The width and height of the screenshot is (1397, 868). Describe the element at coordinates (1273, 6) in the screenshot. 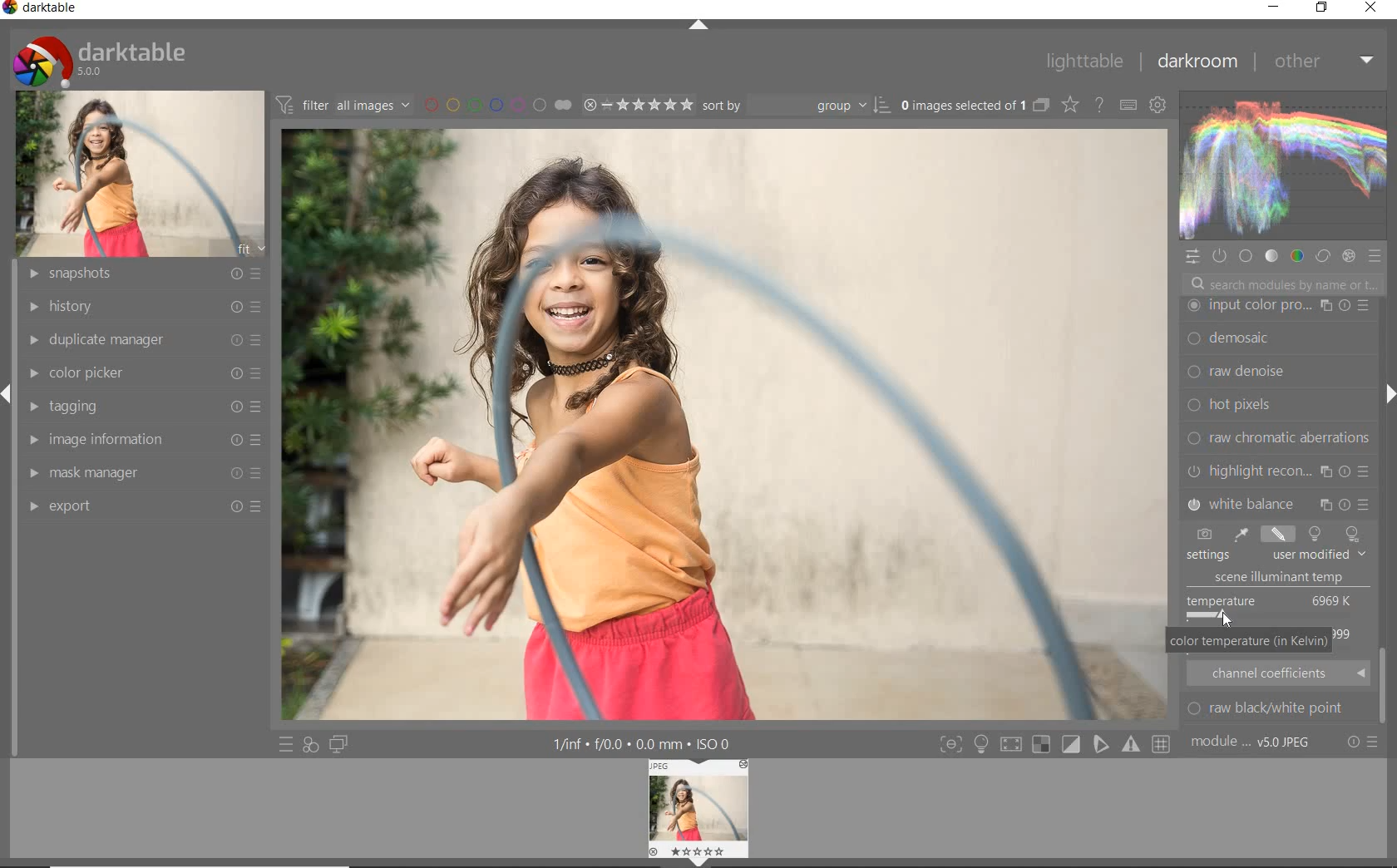

I see `minimize` at that location.